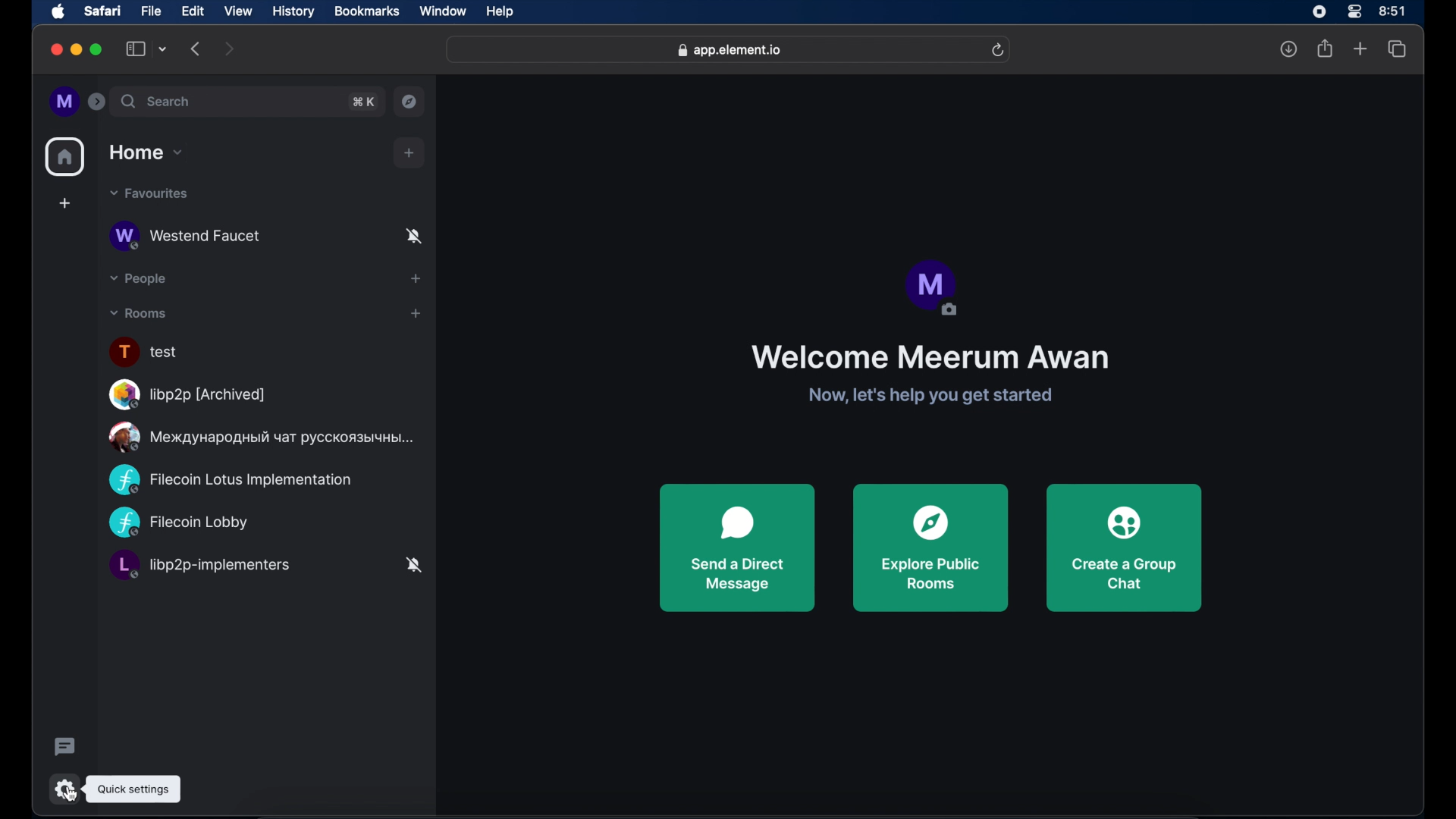 The height and width of the screenshot is (819, 1456). I want to click on add , so click(420, 278).